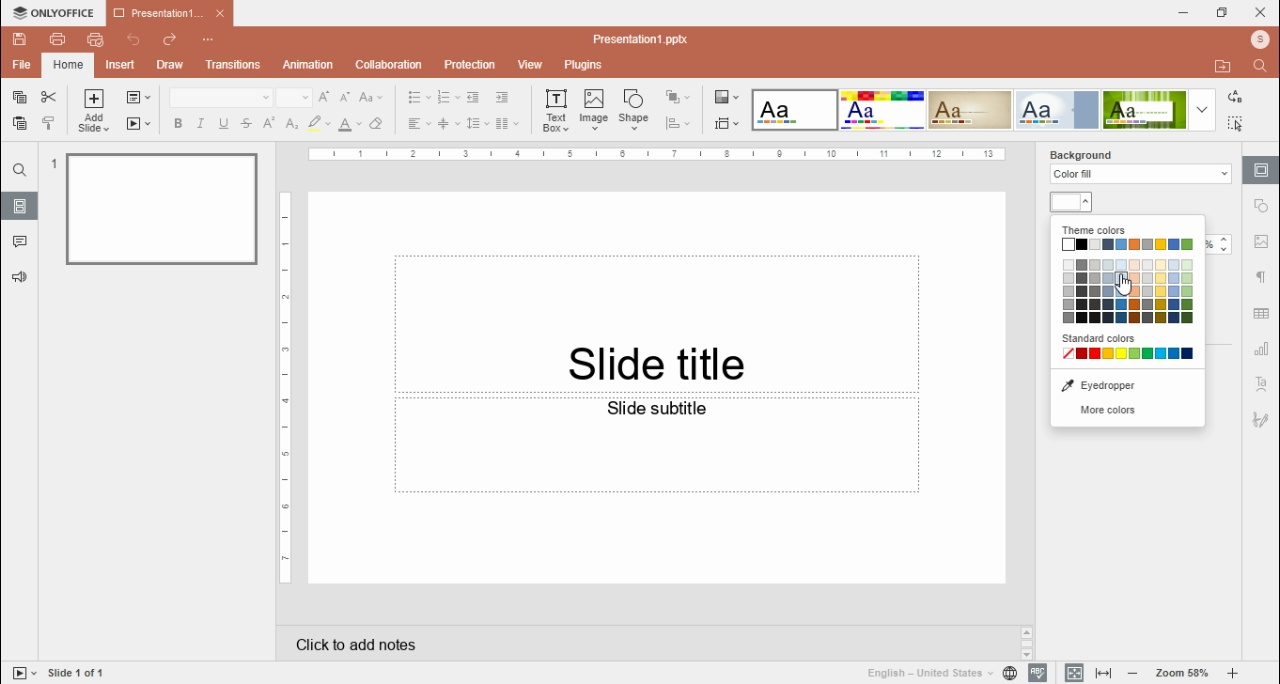 The width and height of the screenshot is (1280, 684). I want to click on numbering, so click(448, 97).